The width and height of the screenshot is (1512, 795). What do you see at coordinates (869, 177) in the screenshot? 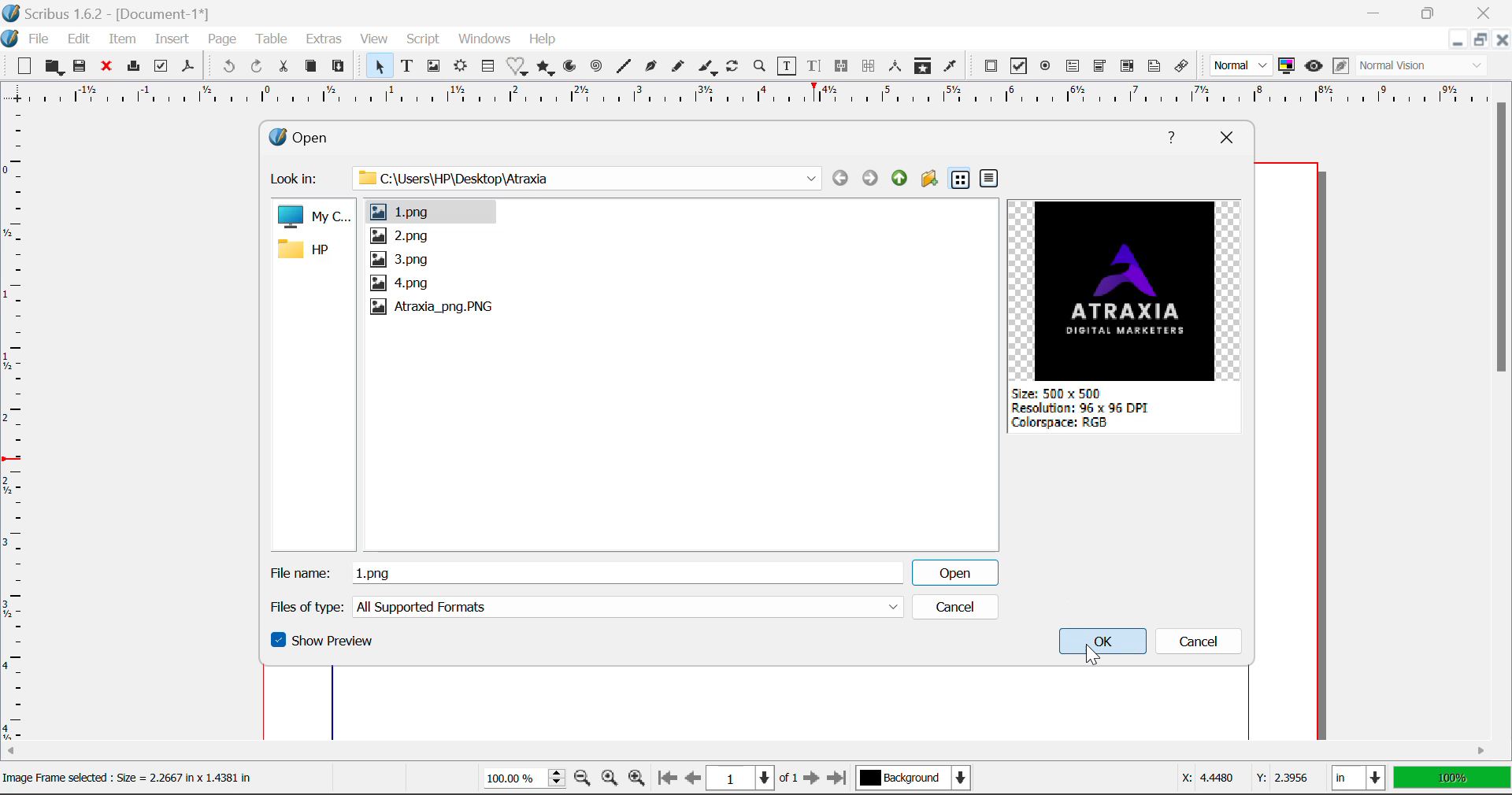
I see `Next` at bounding box center [869, 177].